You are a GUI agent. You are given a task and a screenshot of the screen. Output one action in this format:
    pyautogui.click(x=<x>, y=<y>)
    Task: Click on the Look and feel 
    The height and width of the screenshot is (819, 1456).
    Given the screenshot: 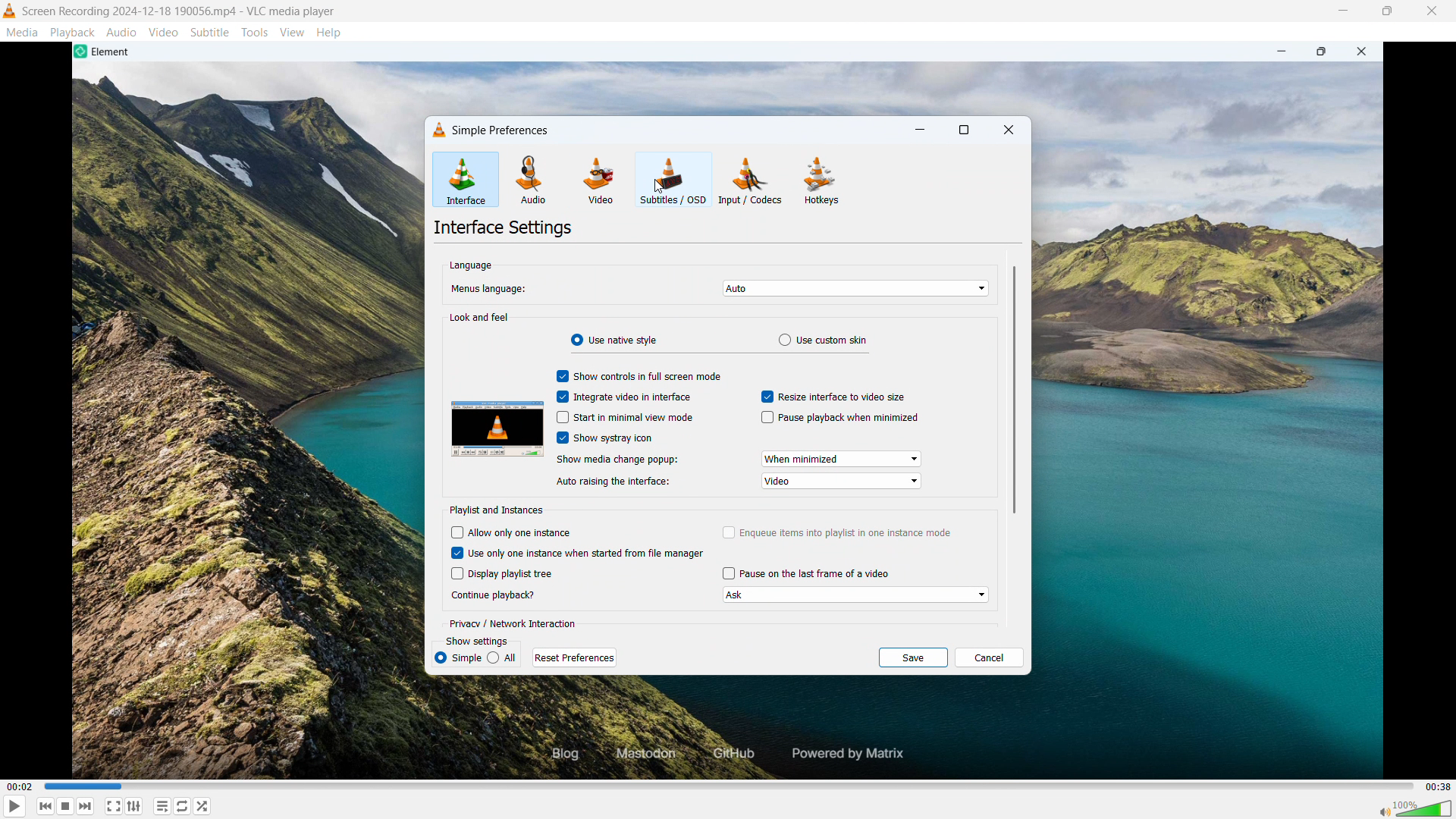 What is the action you would take?
    pyautogui.click(x=478, y=318)
    